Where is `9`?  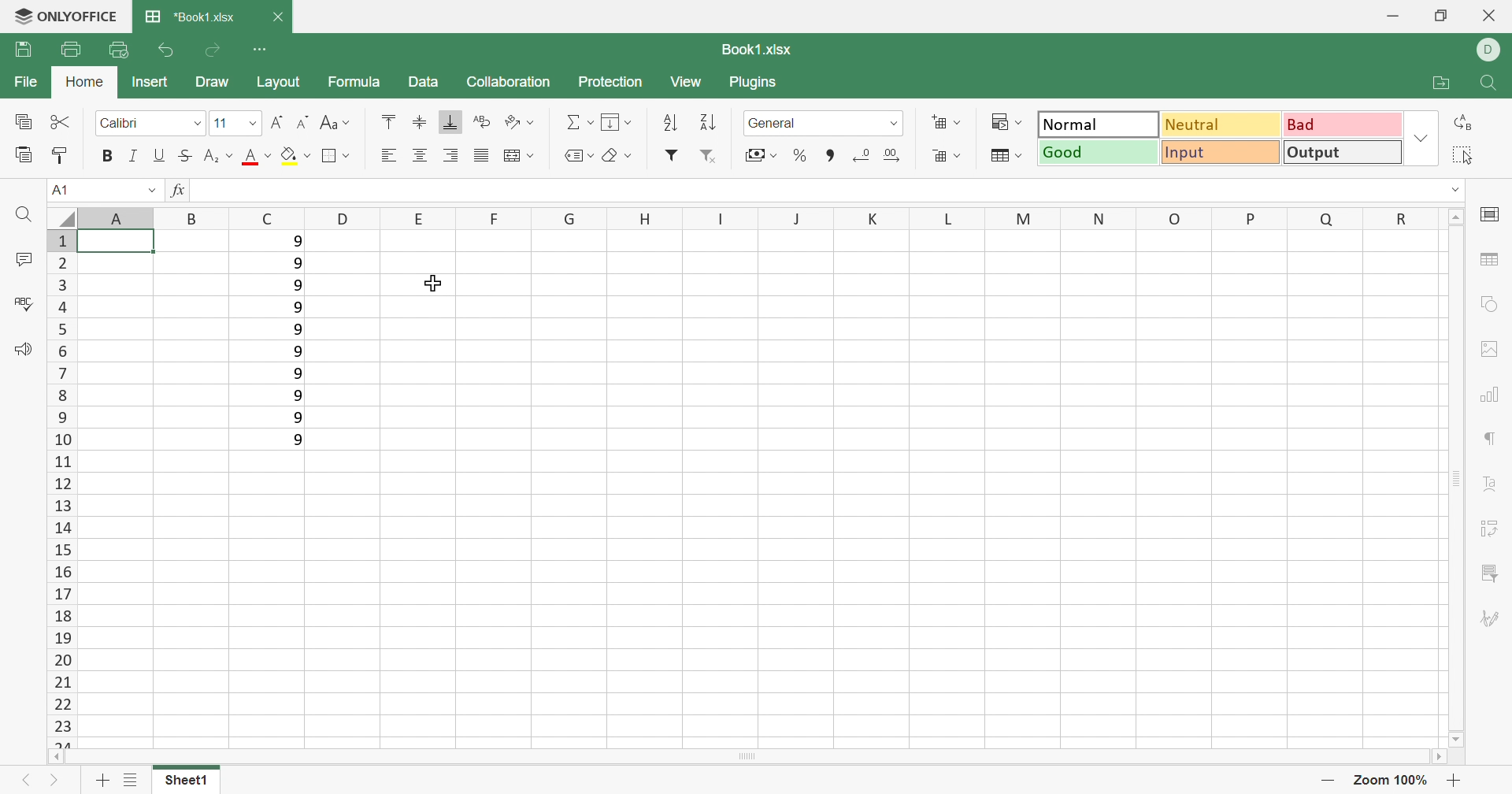 9 is located at coordinates (296, 240).